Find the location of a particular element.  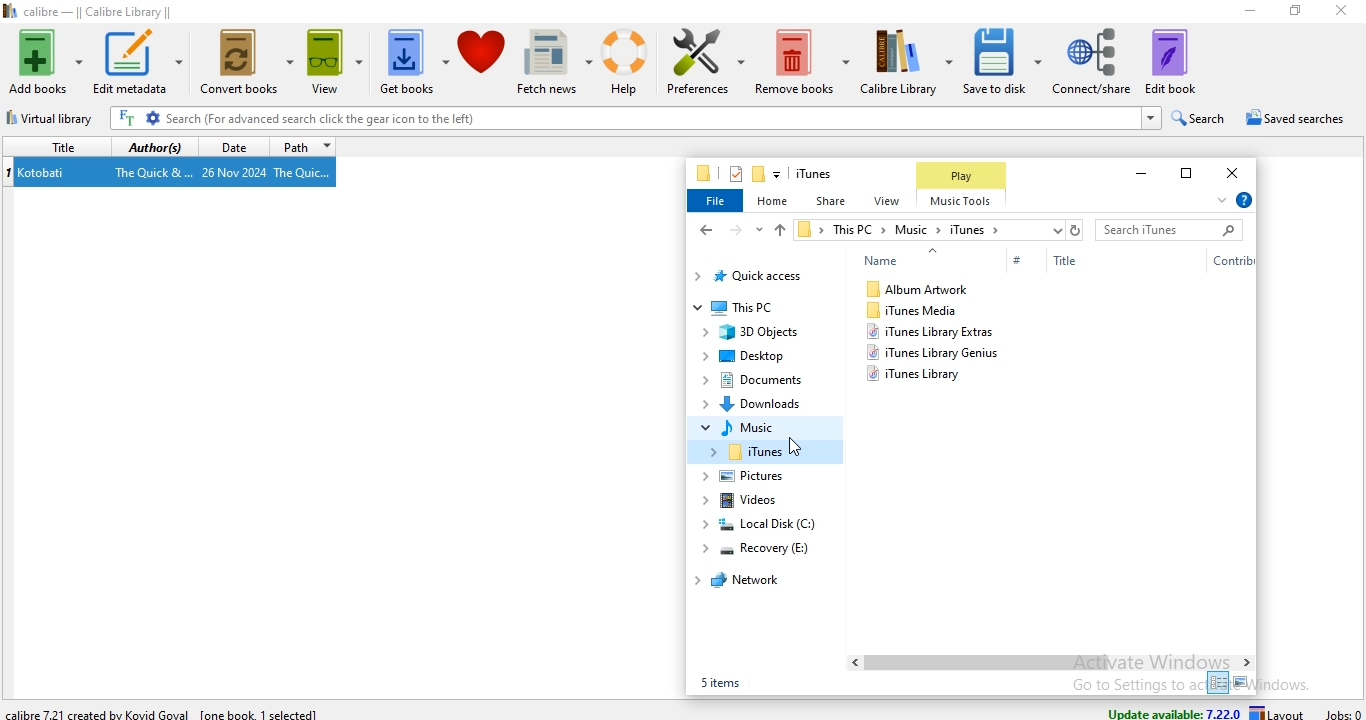

date is located at coordinates (227, 148).